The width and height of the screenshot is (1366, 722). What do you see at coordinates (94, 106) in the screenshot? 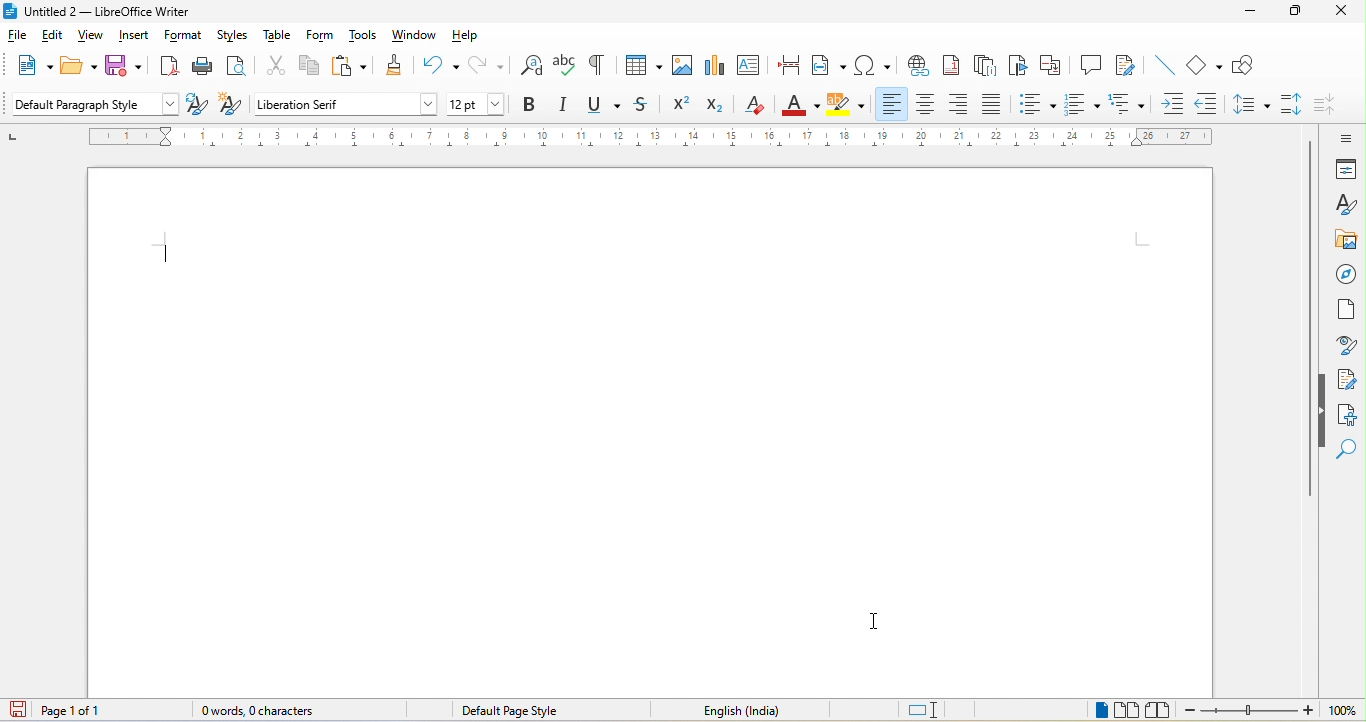
I see `set paragraph style` at bounding box center [94, 106].